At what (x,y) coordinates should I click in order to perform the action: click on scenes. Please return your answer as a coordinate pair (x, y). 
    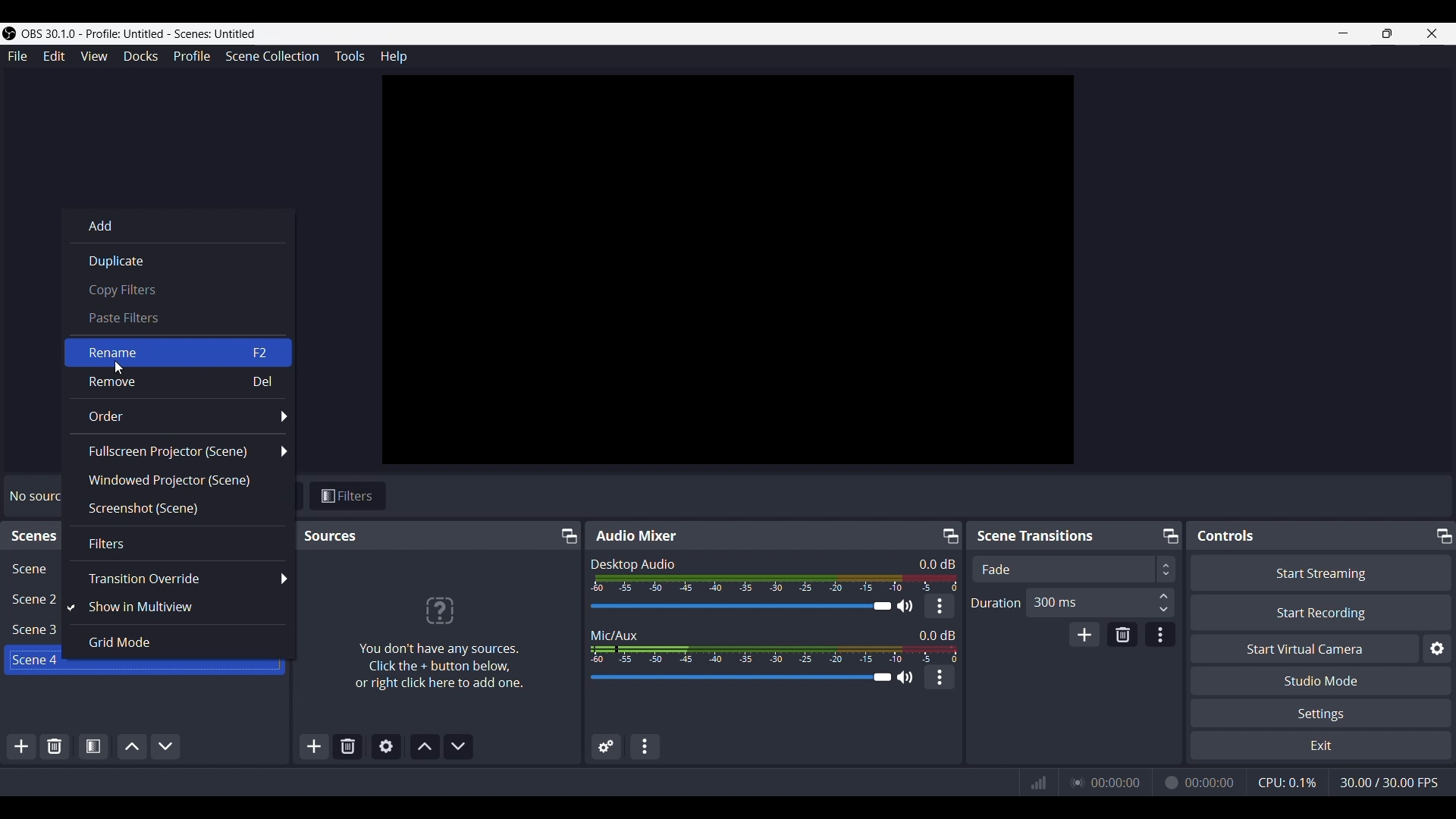
    Looking at the image, I should click on (36, 538).